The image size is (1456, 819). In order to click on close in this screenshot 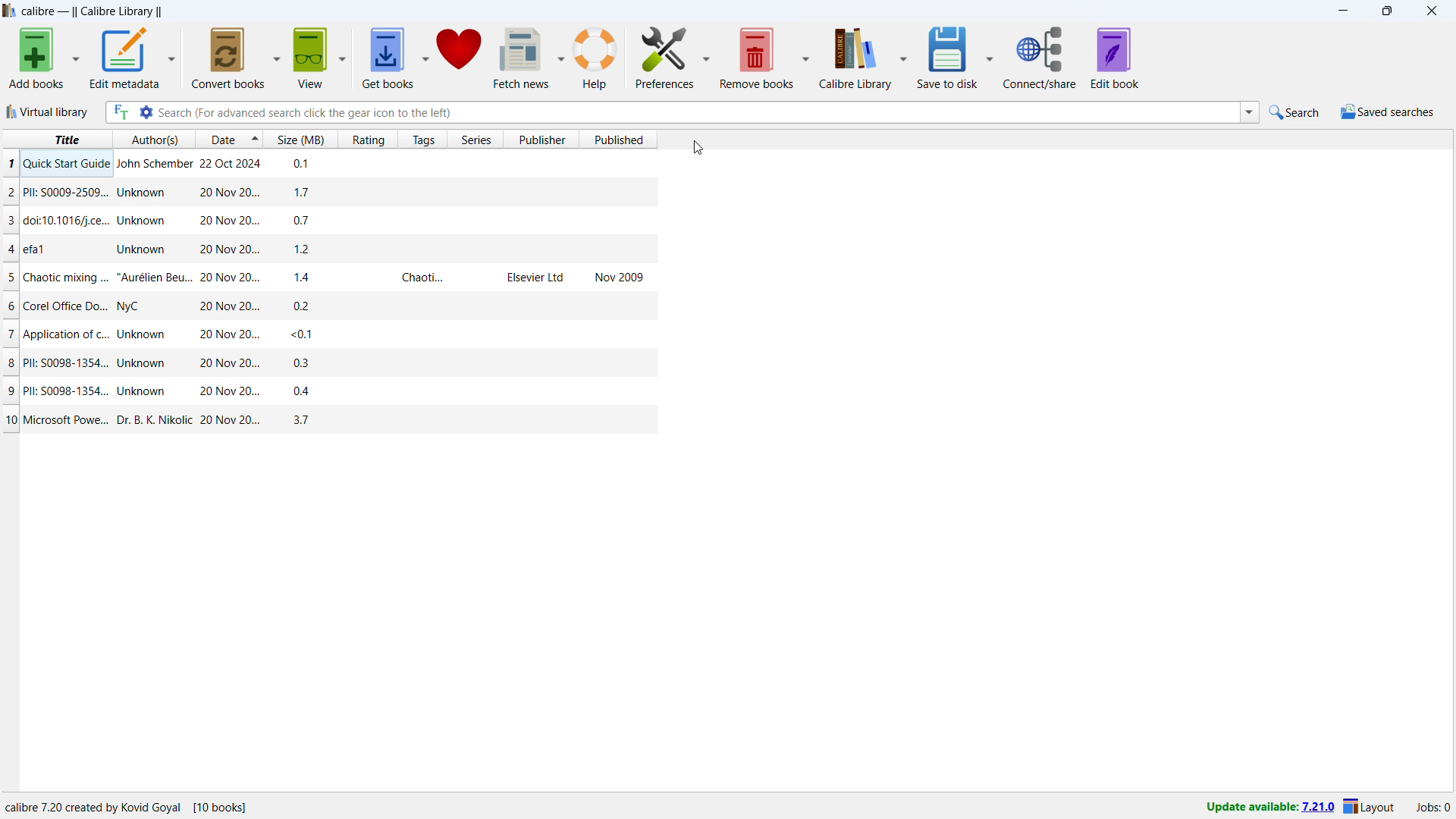, I will do `click(1433, 11)`.